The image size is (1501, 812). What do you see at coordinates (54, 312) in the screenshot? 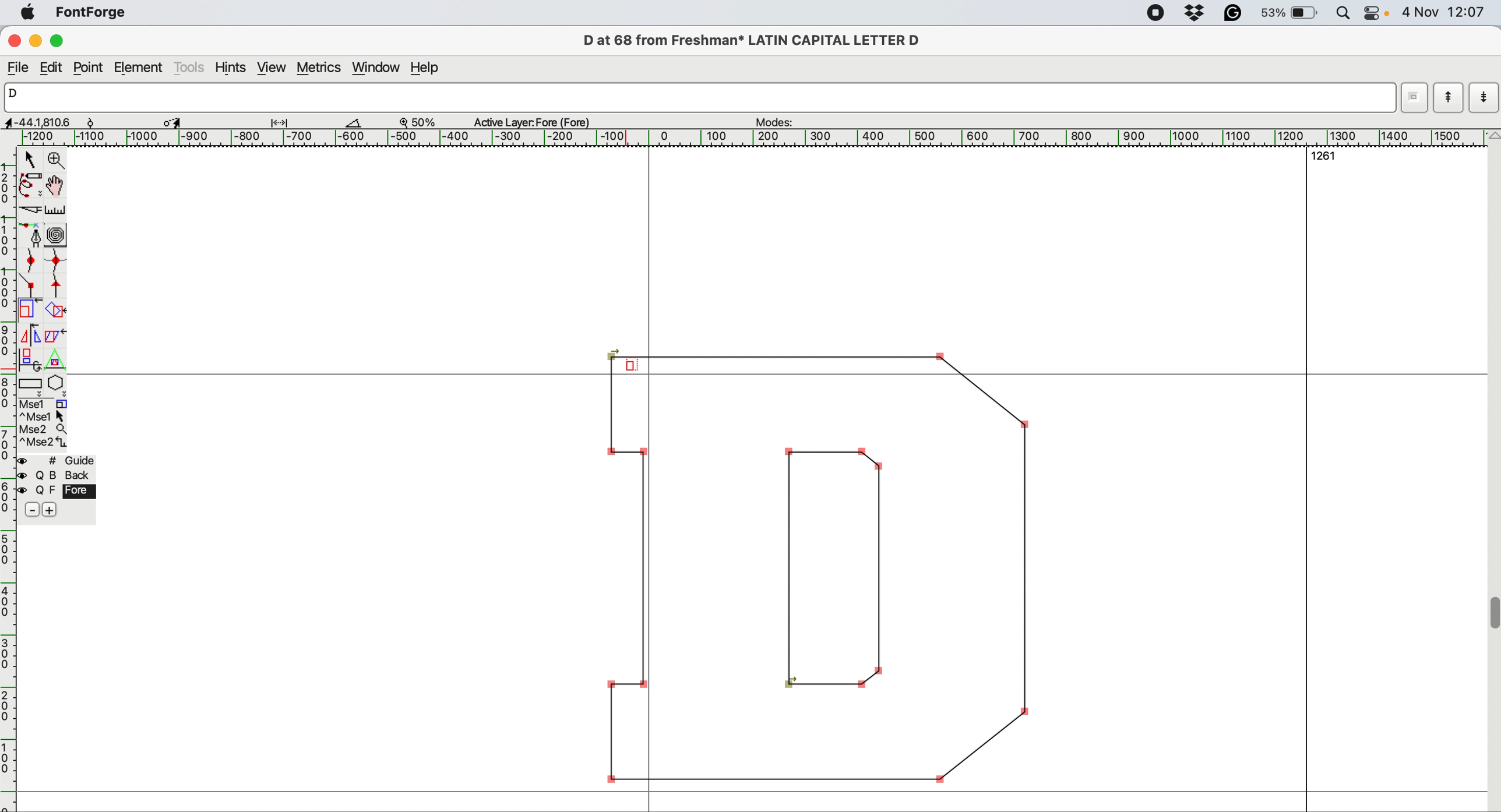
I see `rotate the selection` at bounding box center [54, 312].